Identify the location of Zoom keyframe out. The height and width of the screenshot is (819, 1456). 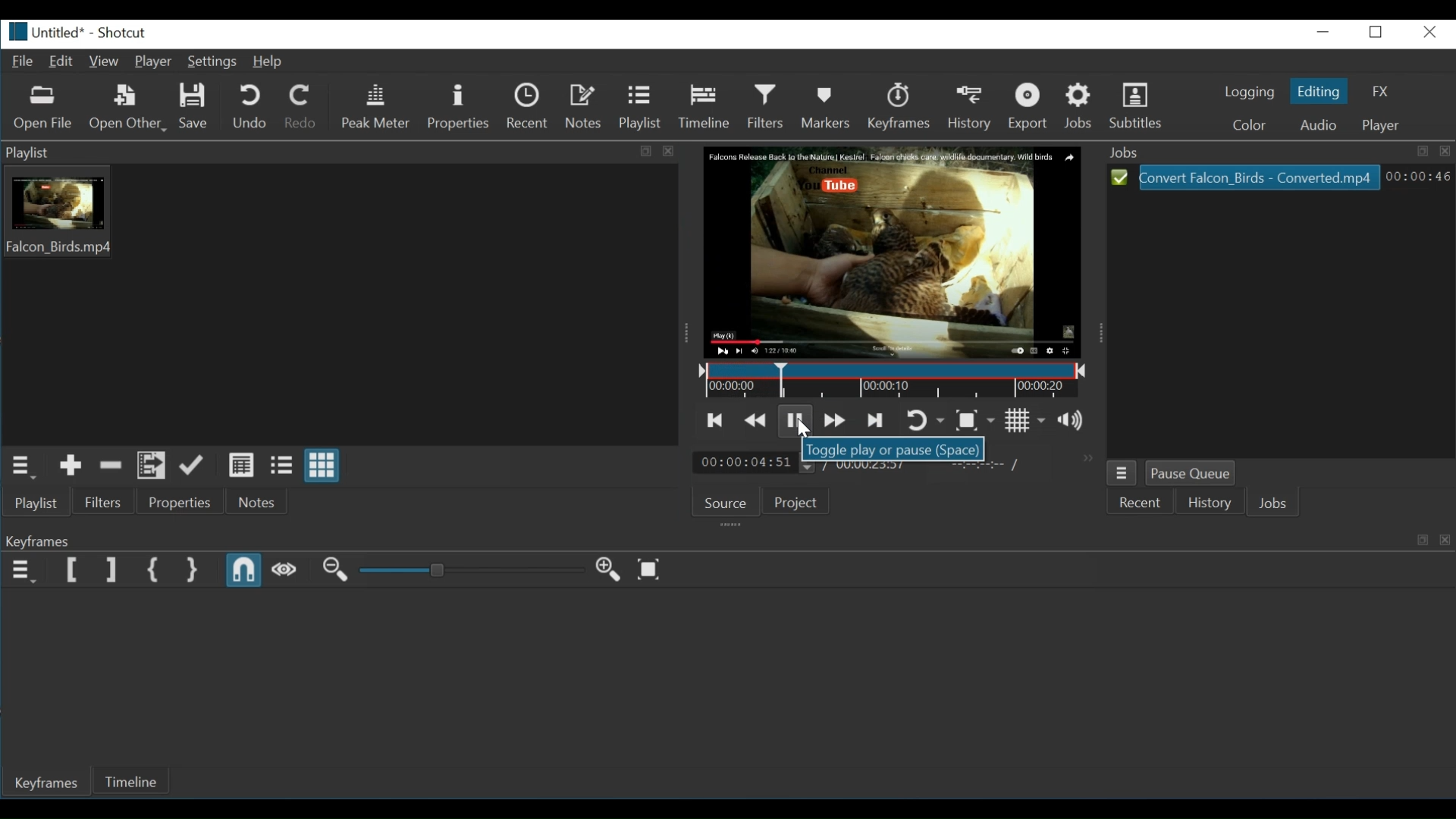
(337, 571).